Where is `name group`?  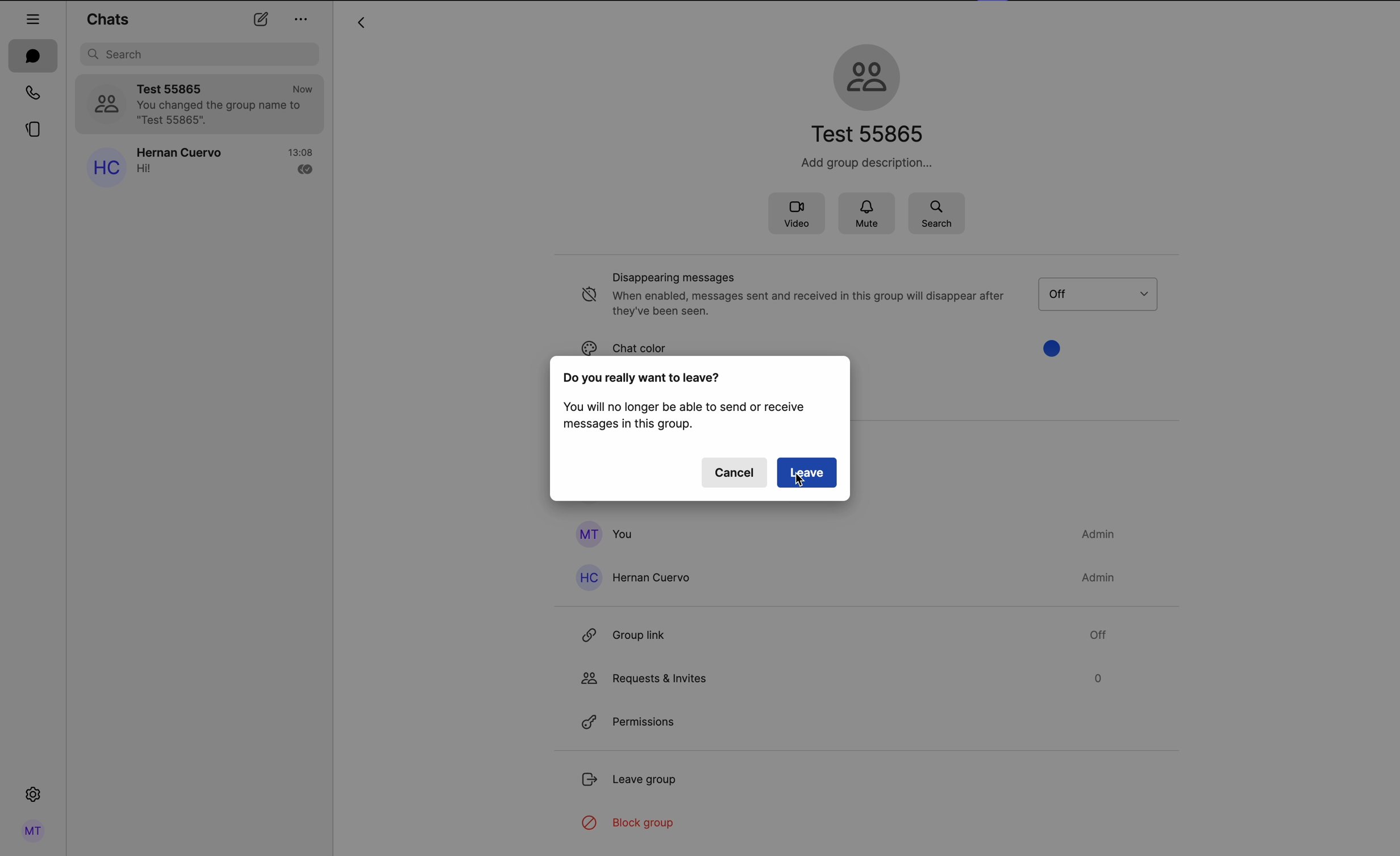 name group is located at coordinates (872, 134).